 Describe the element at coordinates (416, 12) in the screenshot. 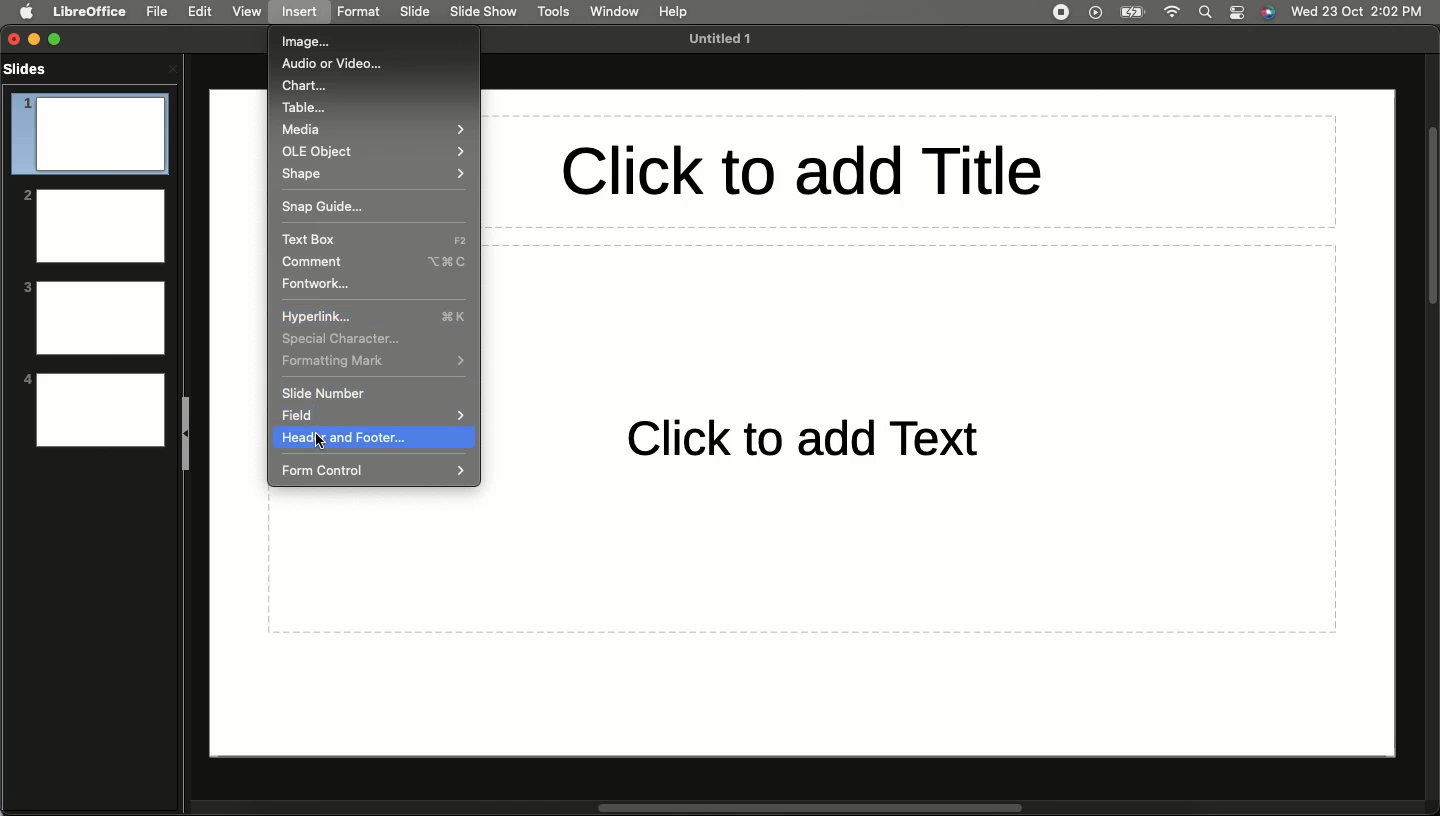

I see `Slide` at that location.